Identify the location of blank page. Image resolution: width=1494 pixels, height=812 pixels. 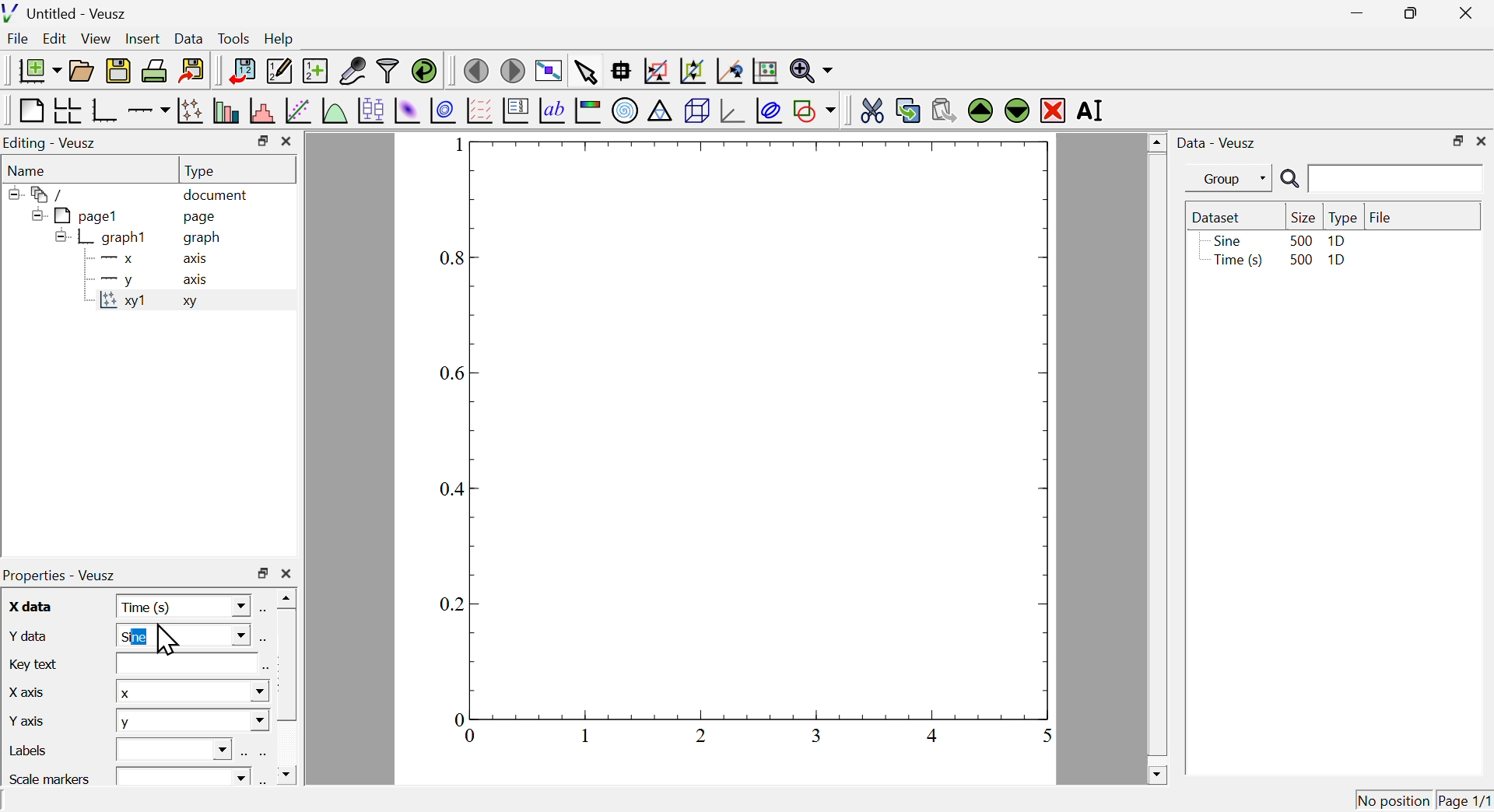
(30, 110).